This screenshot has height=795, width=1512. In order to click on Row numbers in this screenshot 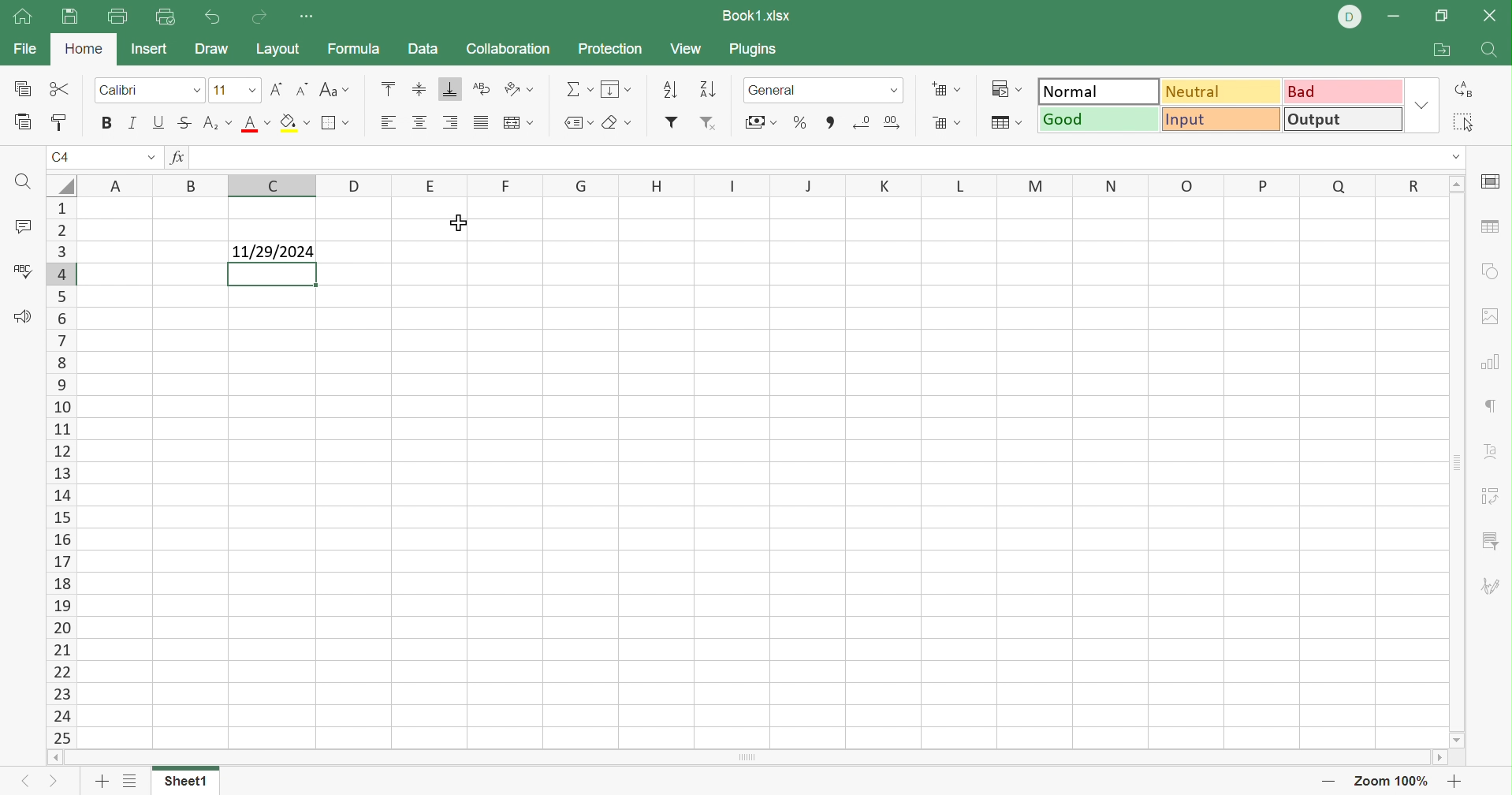, I will do `click(59, 472)`.